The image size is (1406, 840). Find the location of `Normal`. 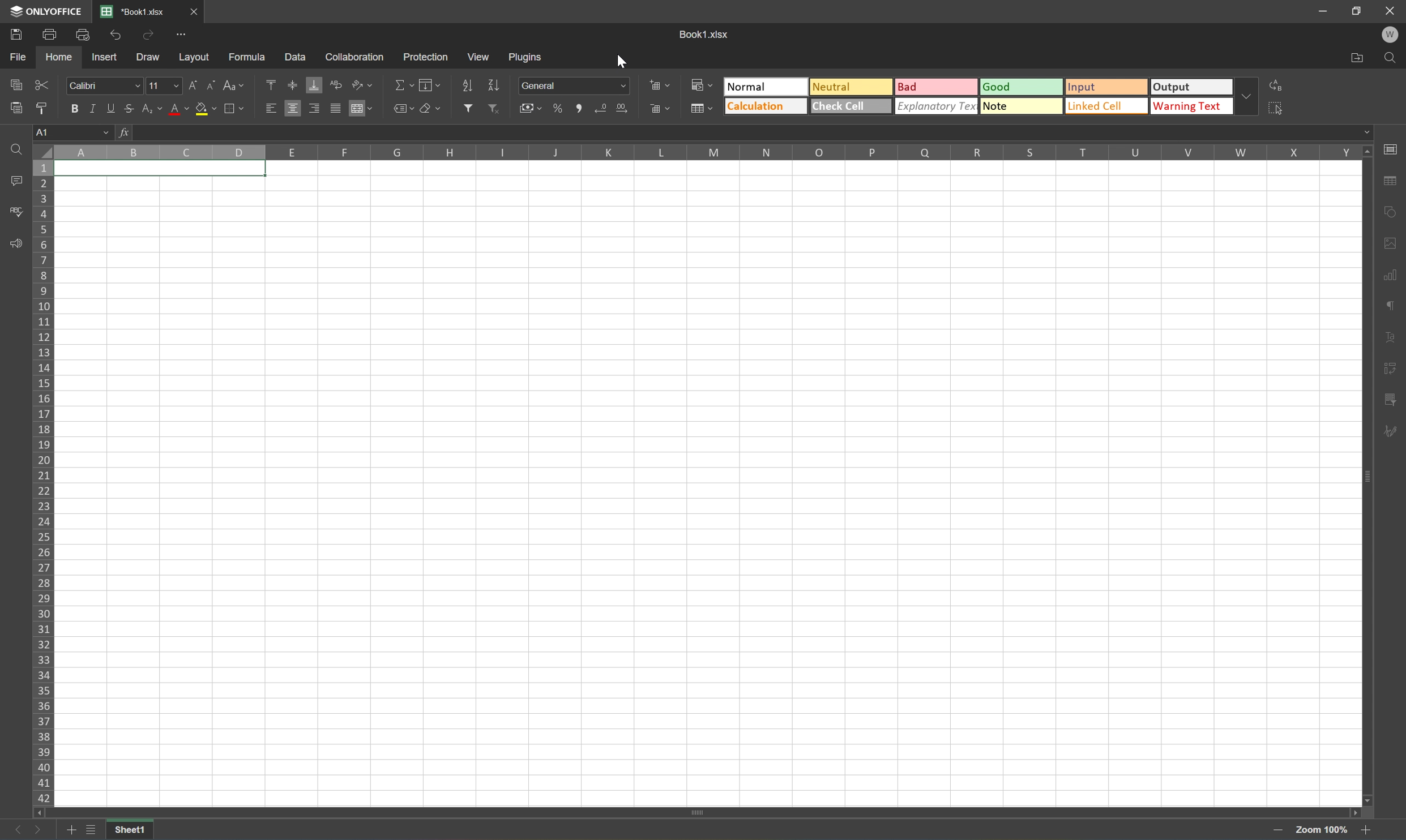

Normal is located at coordinates (767, 87).